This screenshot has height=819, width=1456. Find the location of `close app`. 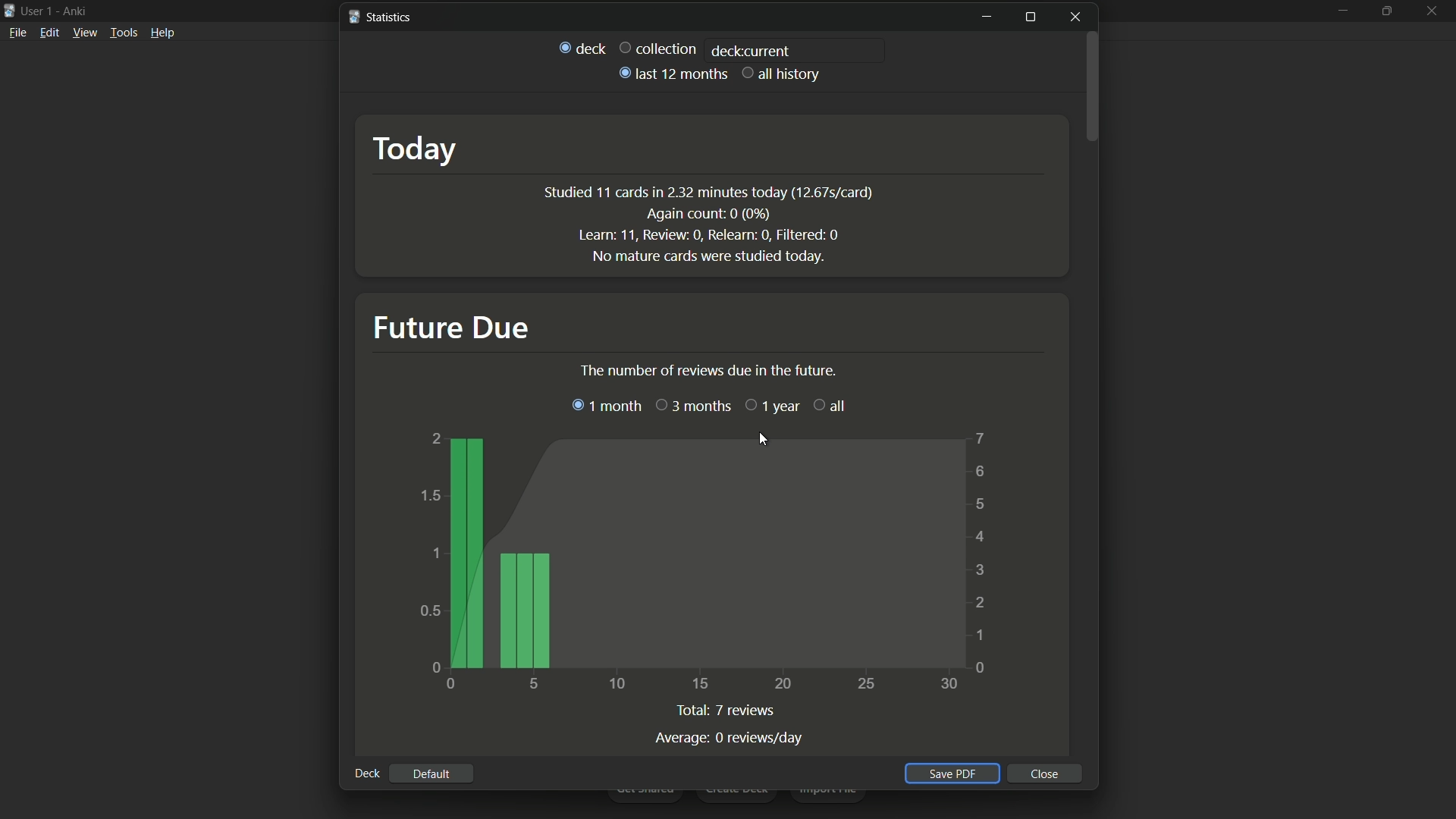

close app is located at coordinates (1434, 10).